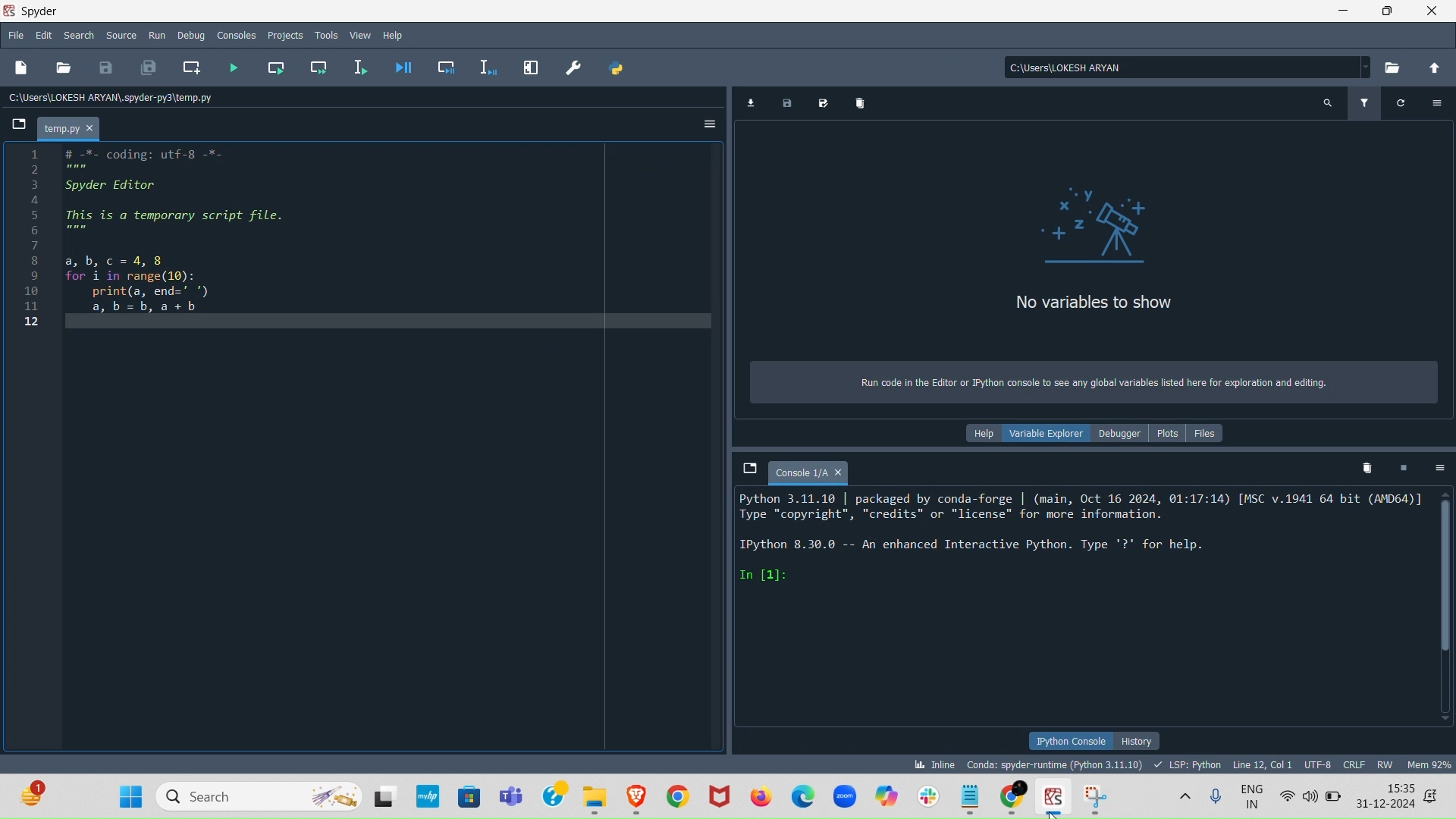 The width and height of the screenshot is (1456, 819). I want to click on Search variable names and types (Ctrl + F), so click(1326, 106).